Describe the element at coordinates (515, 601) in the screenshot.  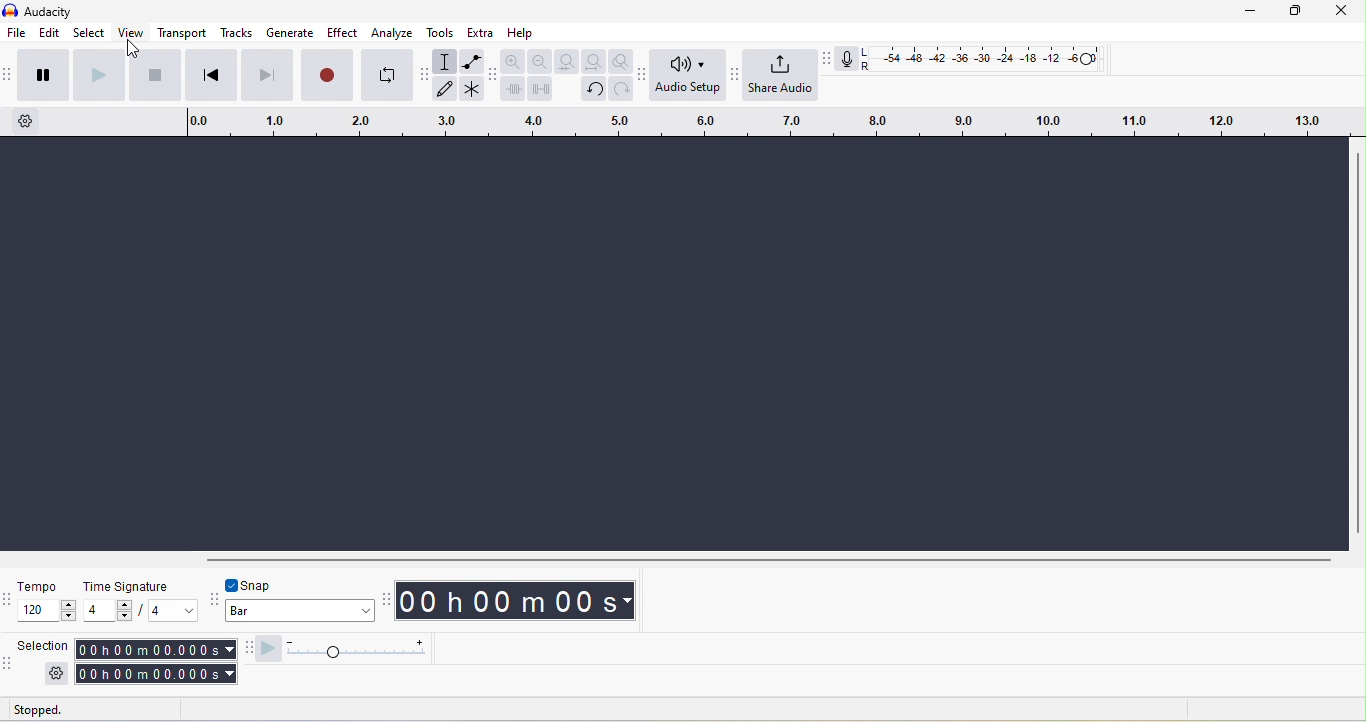
I see `timestamp` at that location.